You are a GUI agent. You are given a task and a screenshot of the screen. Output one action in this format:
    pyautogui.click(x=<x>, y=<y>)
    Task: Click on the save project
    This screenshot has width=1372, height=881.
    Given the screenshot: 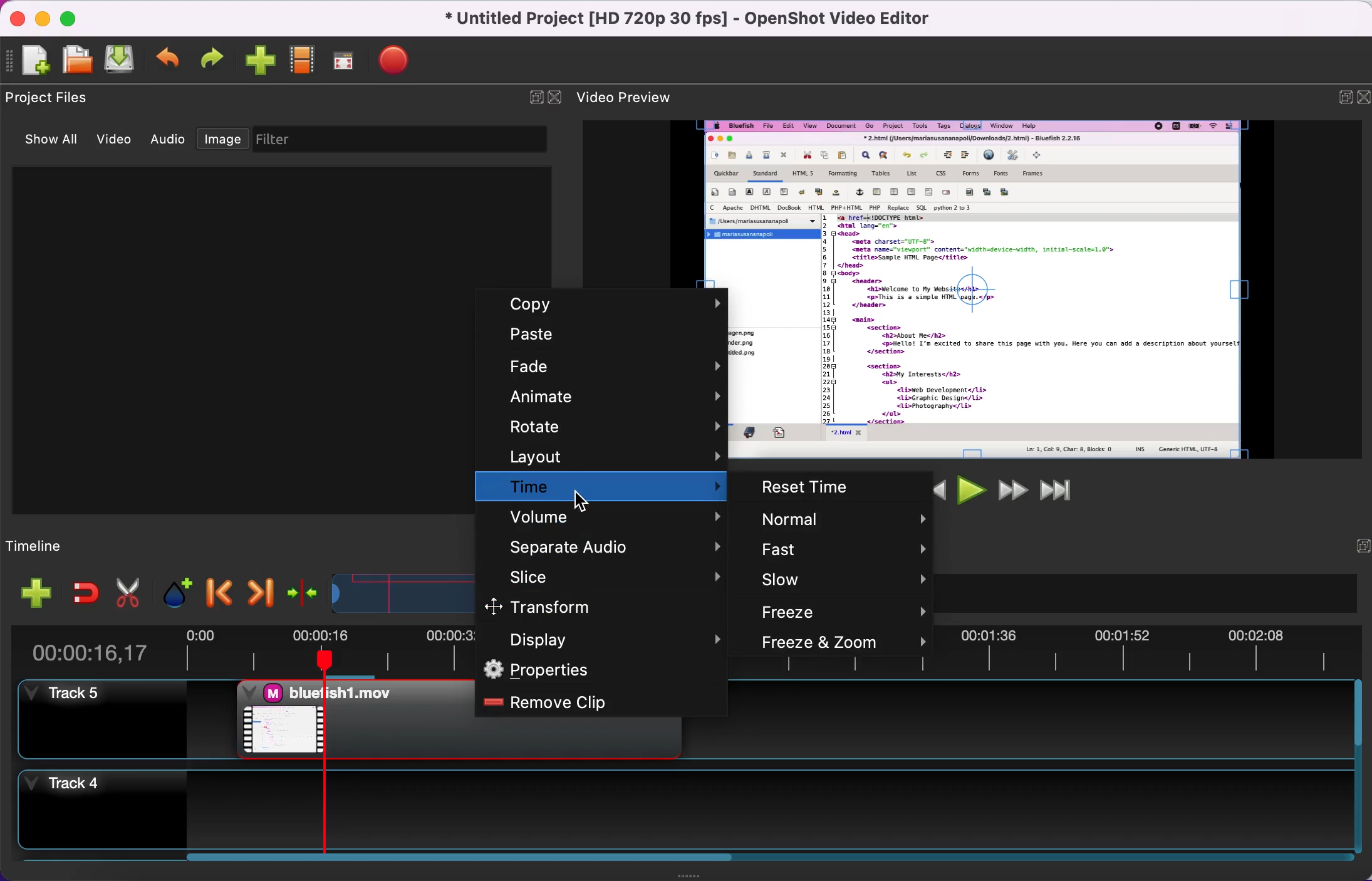 What is the action you would take?
    pyautogui.click(x=123, y=59)
    